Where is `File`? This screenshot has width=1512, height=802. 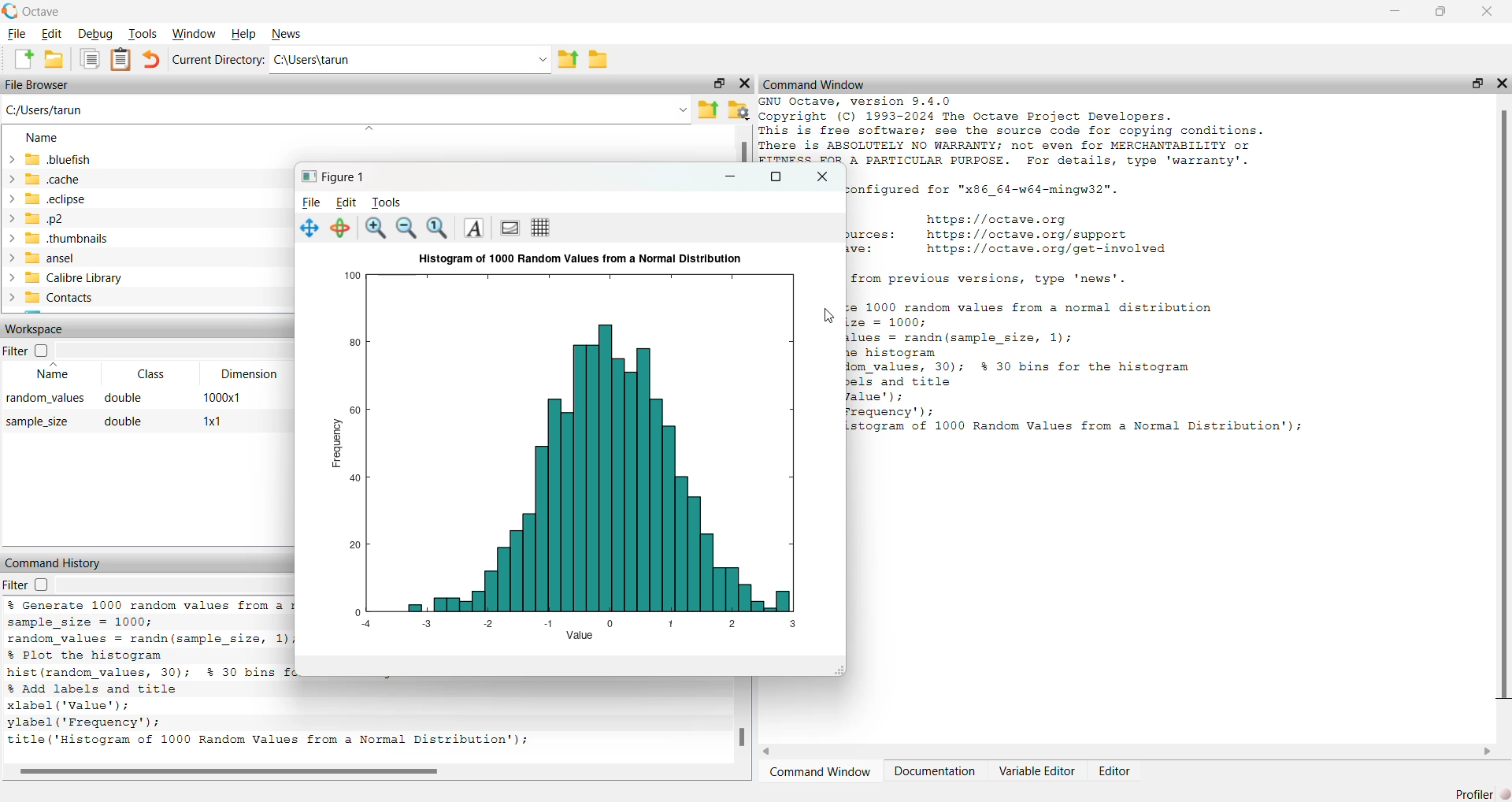
File is located at coordinates (17, 34).